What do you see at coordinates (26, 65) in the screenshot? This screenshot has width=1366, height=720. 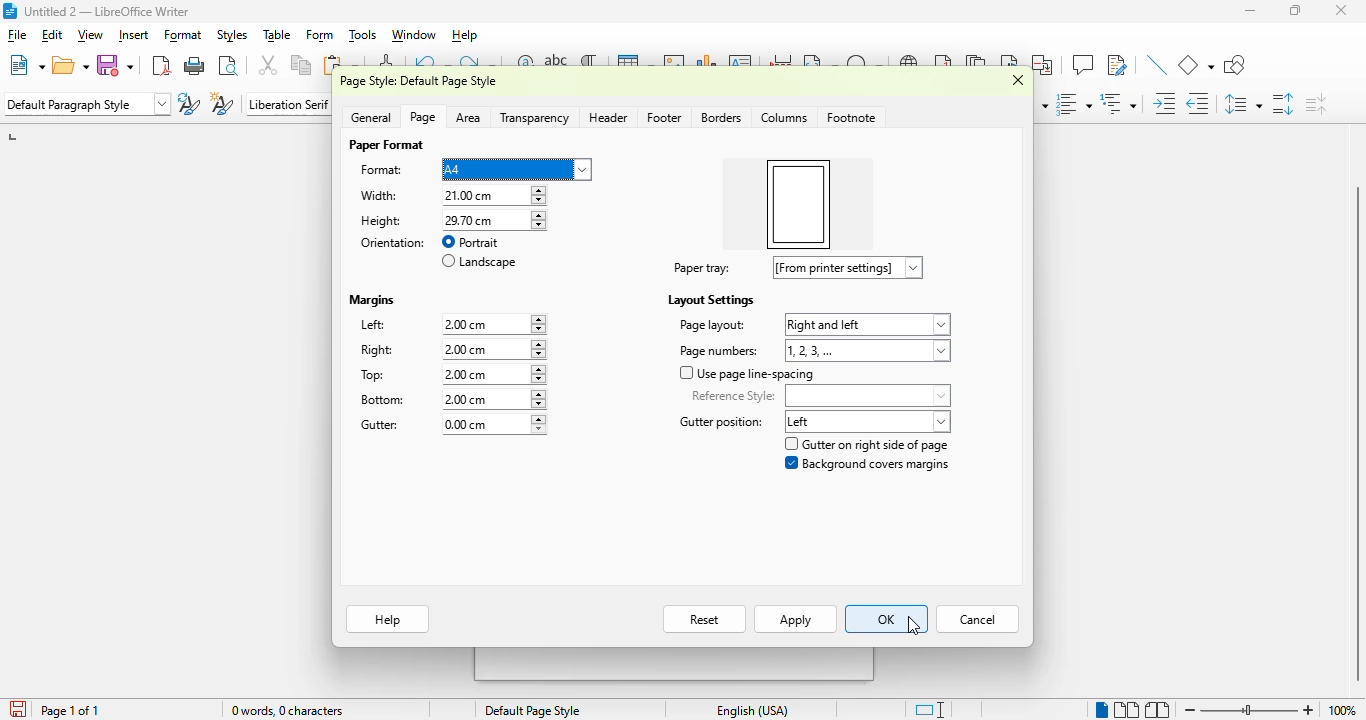 I see `new` at bounding box center [26, 65].